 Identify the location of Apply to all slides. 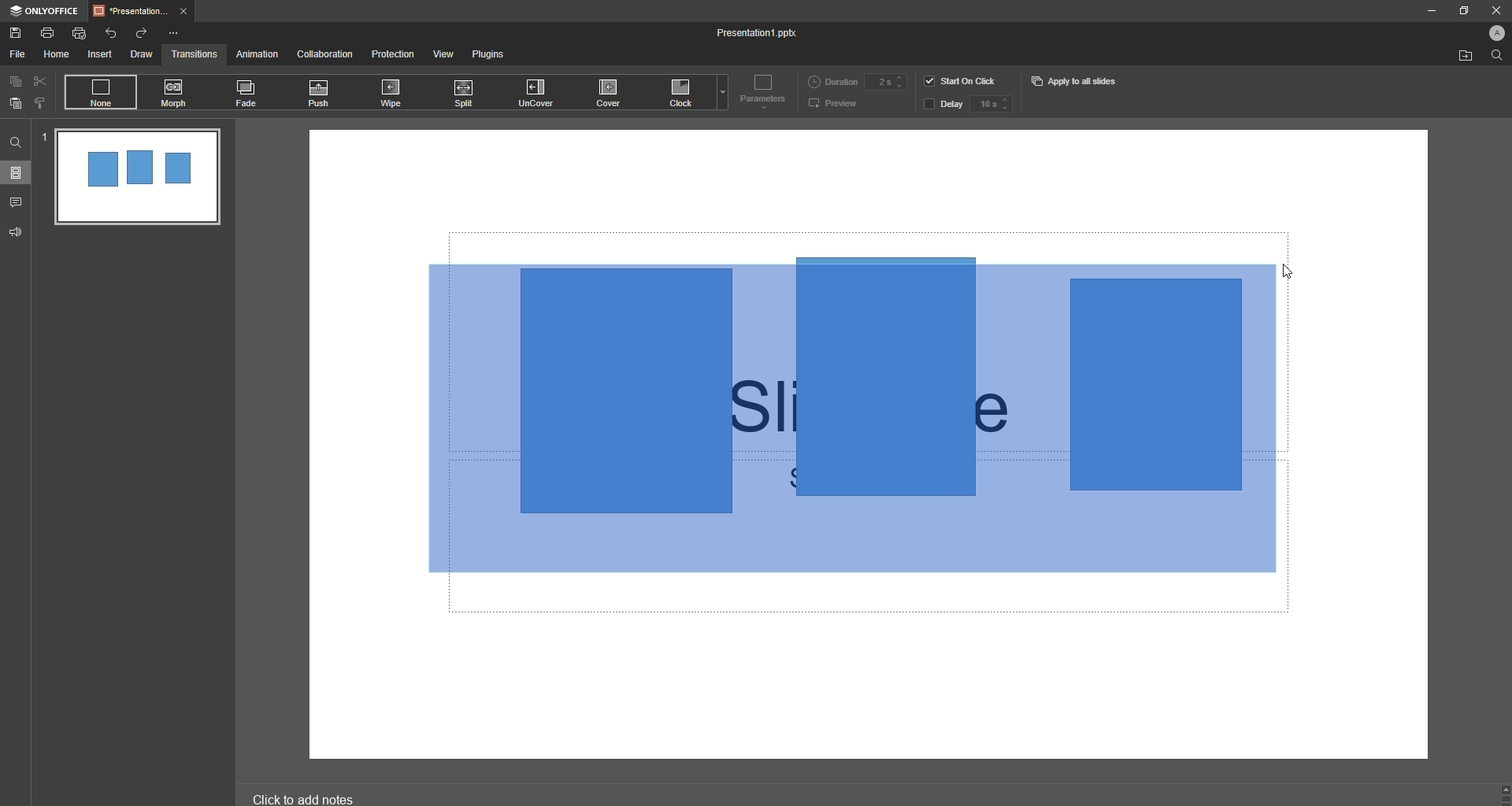
(1076, 81).